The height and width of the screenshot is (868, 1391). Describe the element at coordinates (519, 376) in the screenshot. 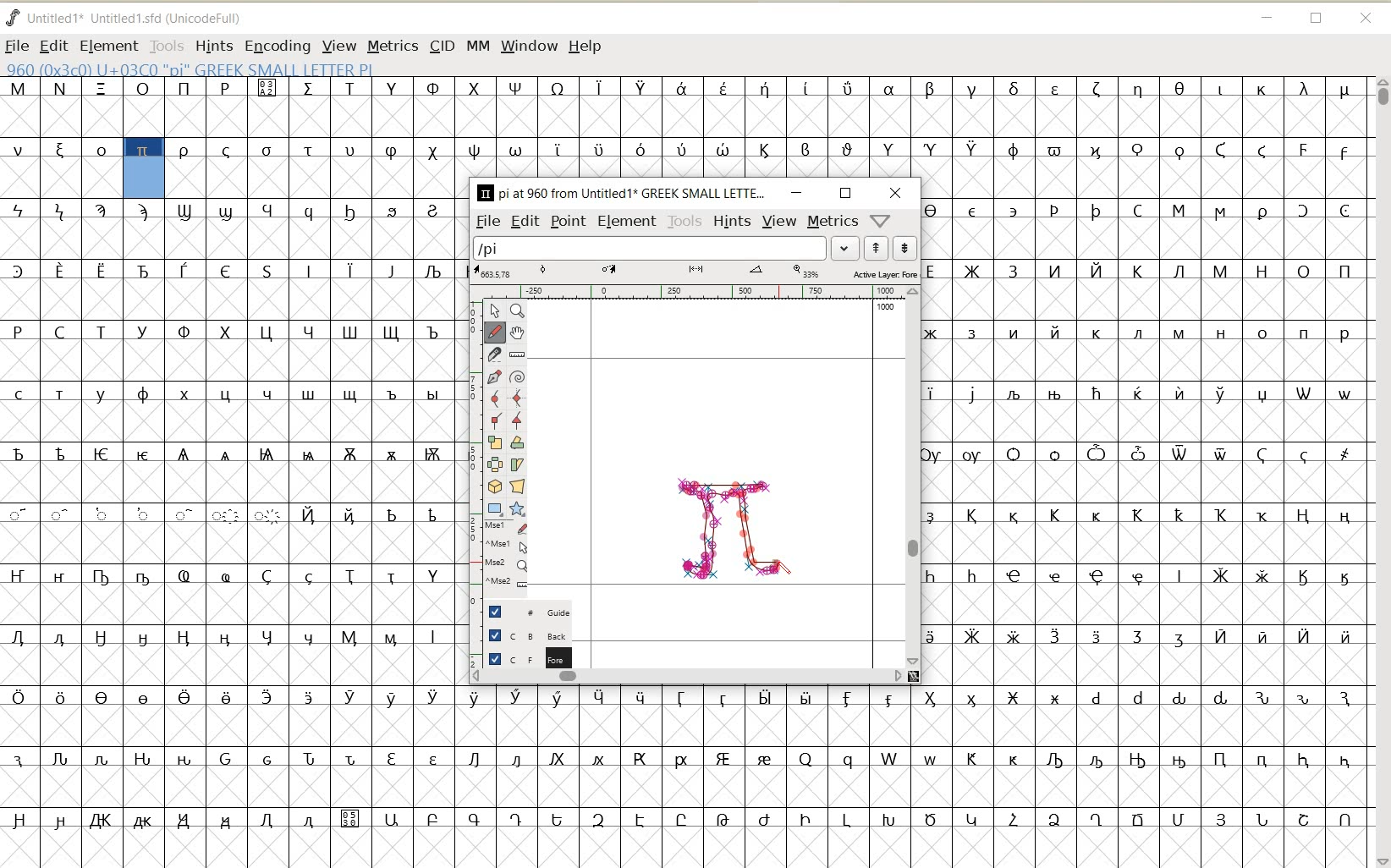

I see `change whether spiro is active or not` at that location.